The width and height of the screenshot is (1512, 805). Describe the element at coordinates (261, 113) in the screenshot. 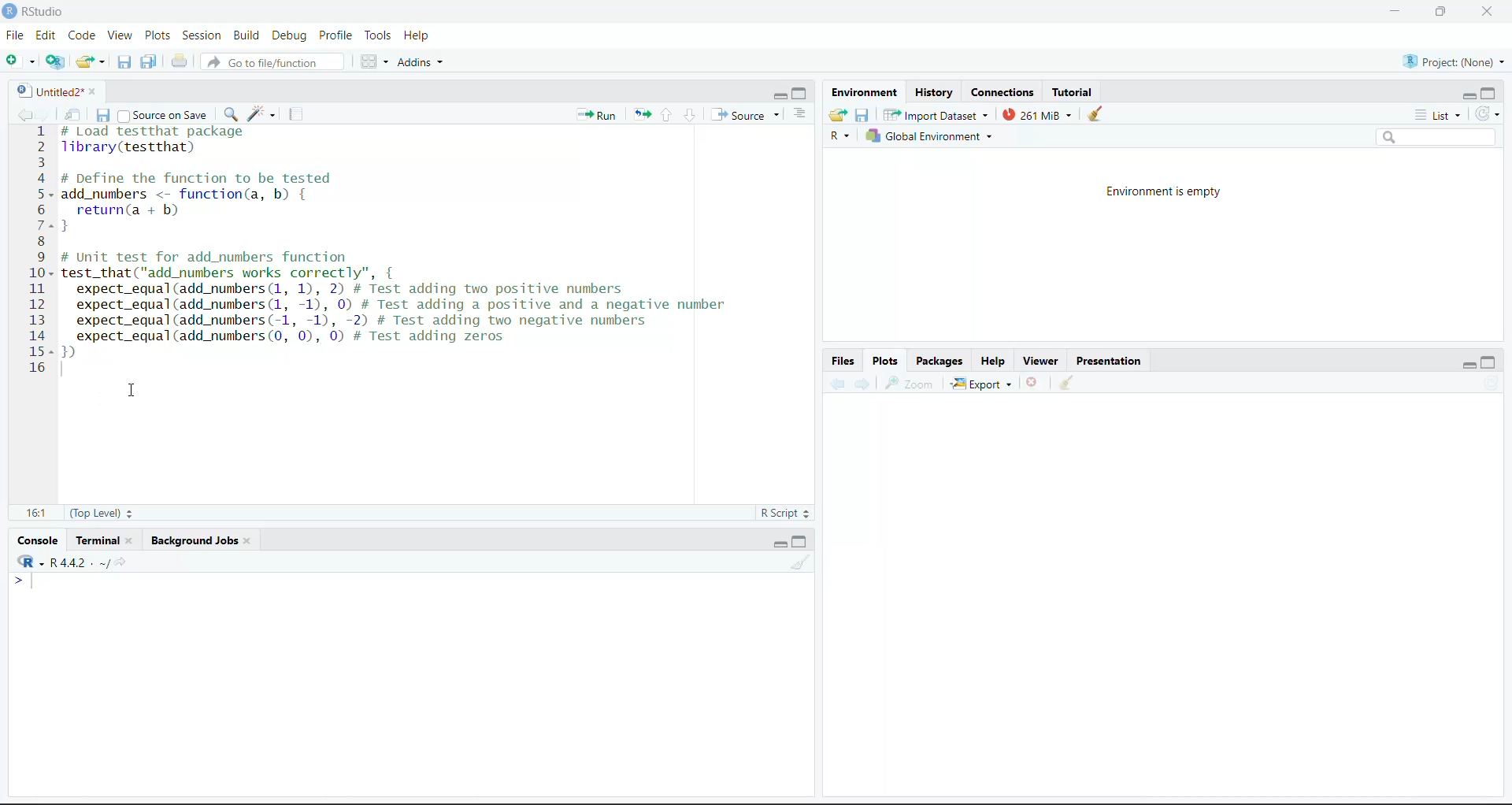

I see `code tools` at that location.